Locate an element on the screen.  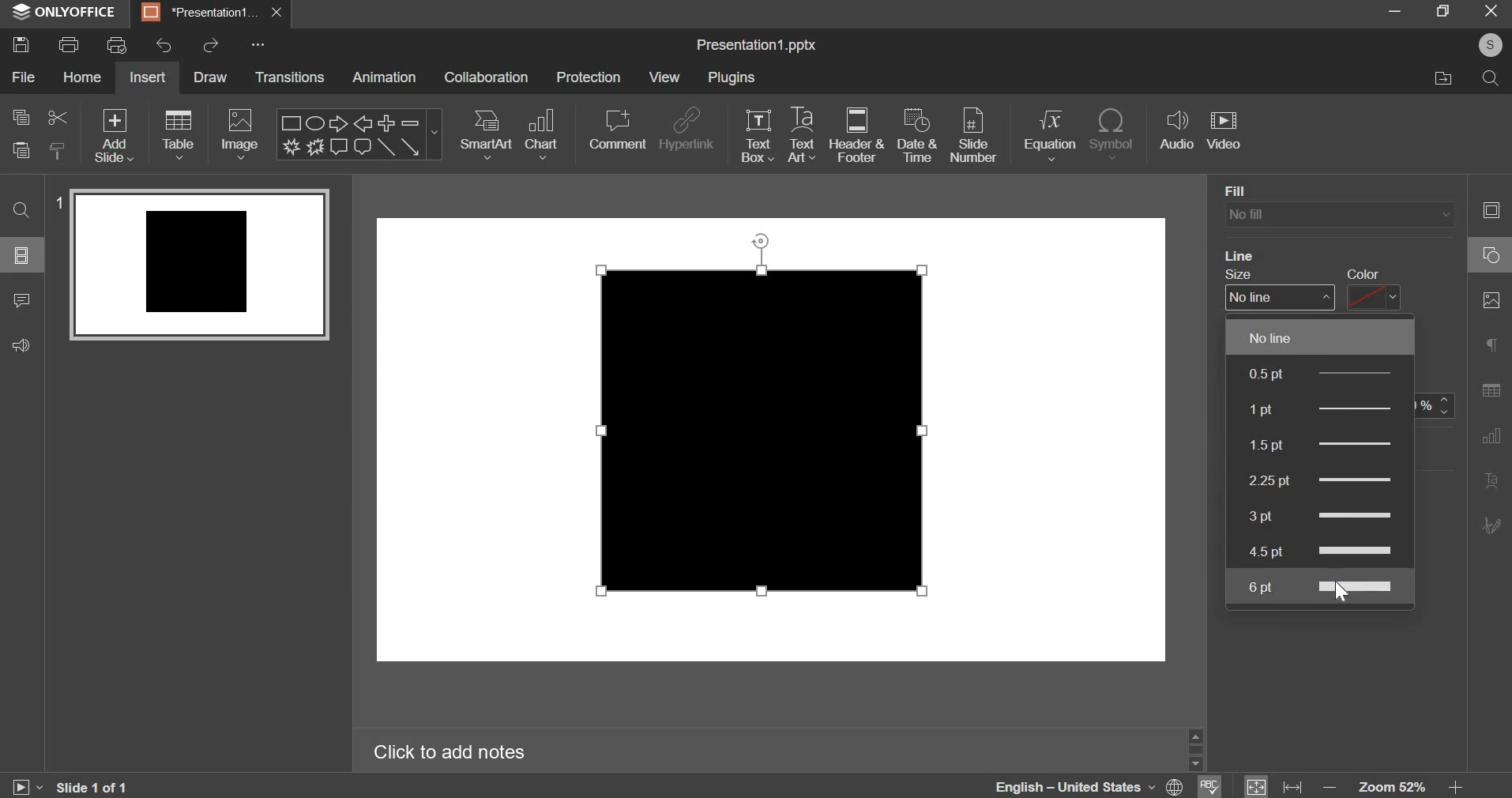
Up and Down  is located at coordinates (1195, 751).